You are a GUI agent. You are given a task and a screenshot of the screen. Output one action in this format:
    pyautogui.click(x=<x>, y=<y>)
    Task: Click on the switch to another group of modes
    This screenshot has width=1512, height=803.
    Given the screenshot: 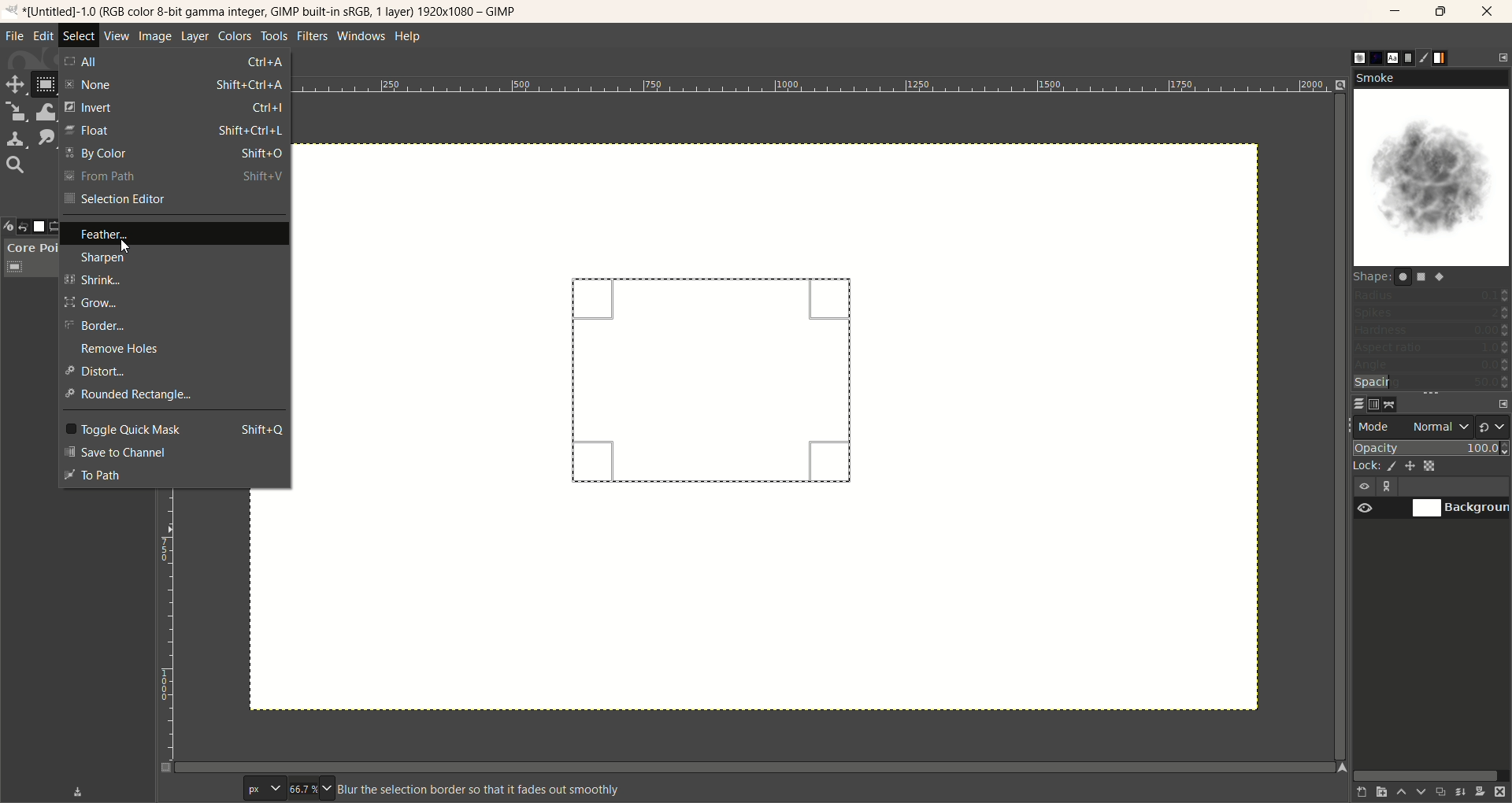 What is the action you would take?
    pyautogui.click(x=1492, y=426)
    